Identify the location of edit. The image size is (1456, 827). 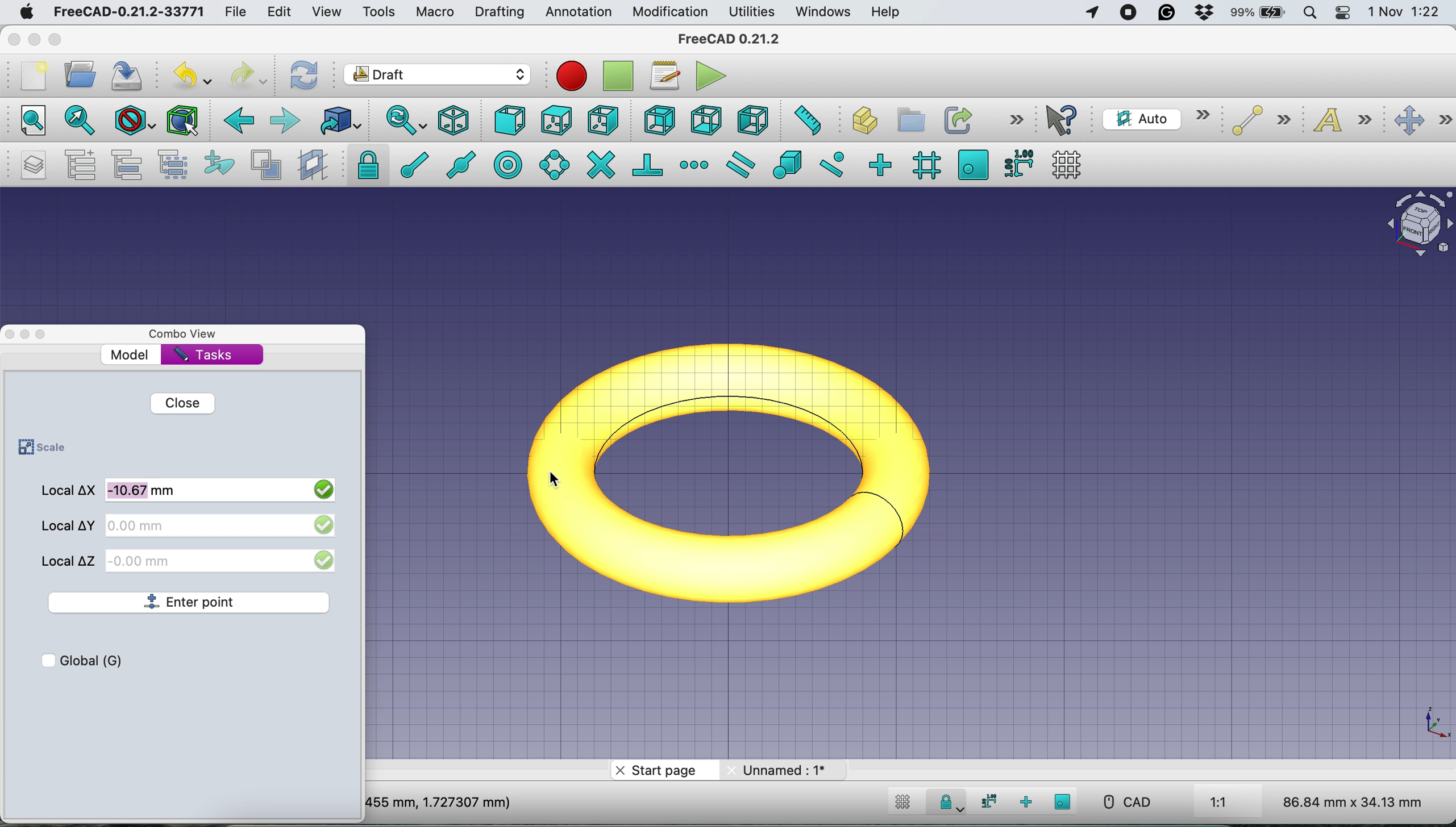
(281, 12).